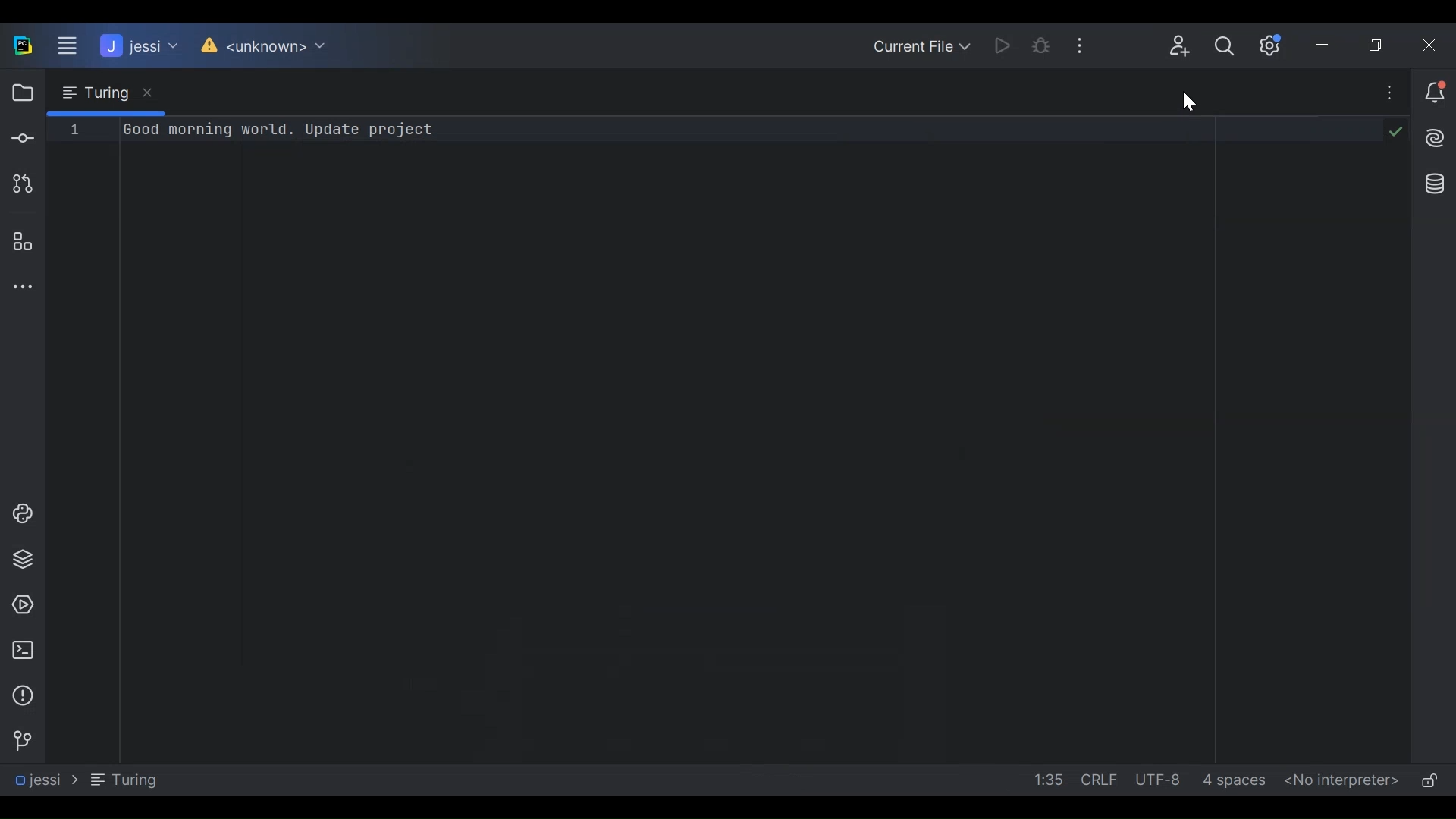 The width and height of the screenshot is (1456, 819). I want to click on 4 spaces, so click(1238, 780).